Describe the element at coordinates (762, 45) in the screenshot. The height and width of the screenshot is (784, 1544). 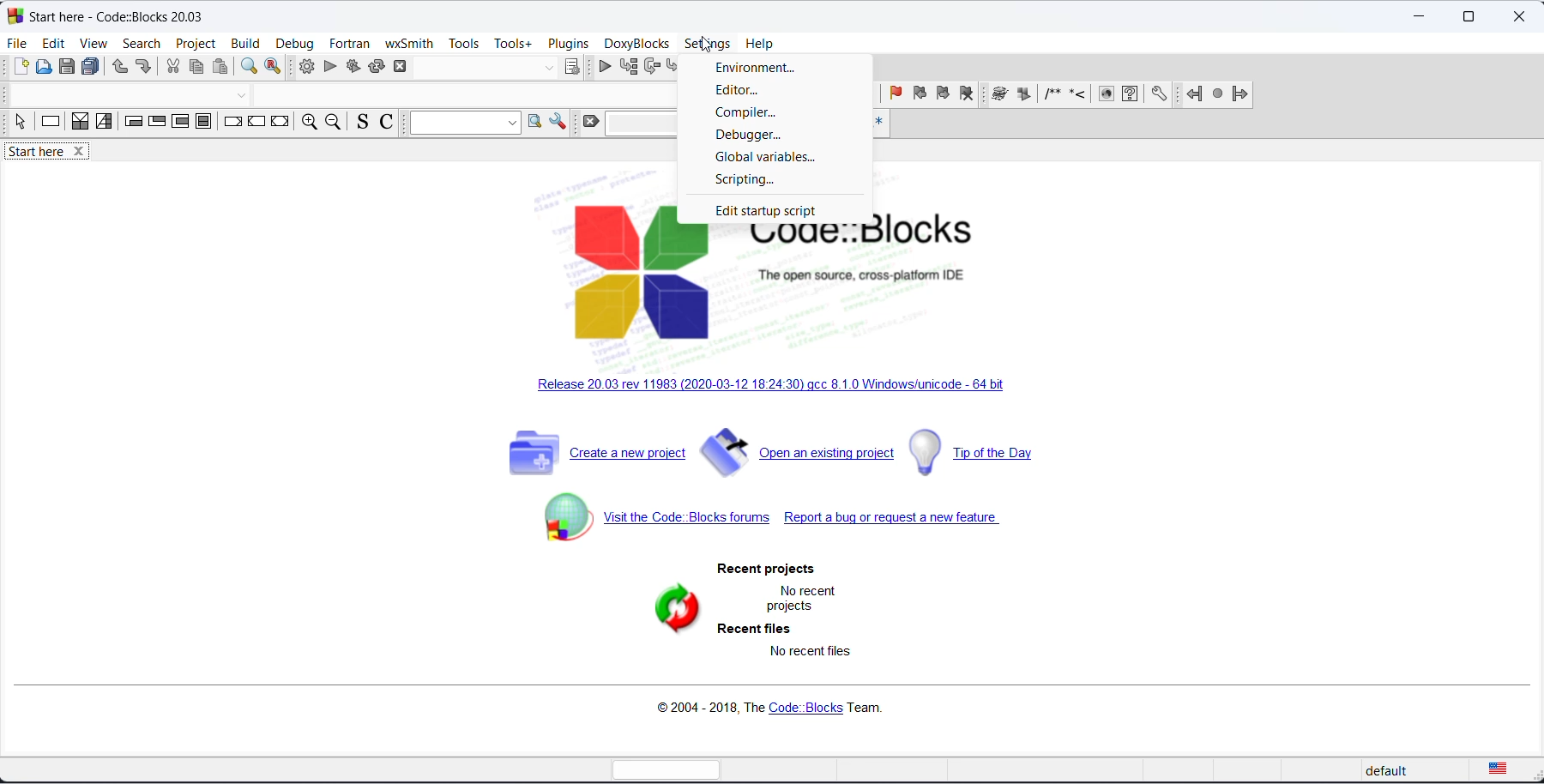
I see `help` at that location.